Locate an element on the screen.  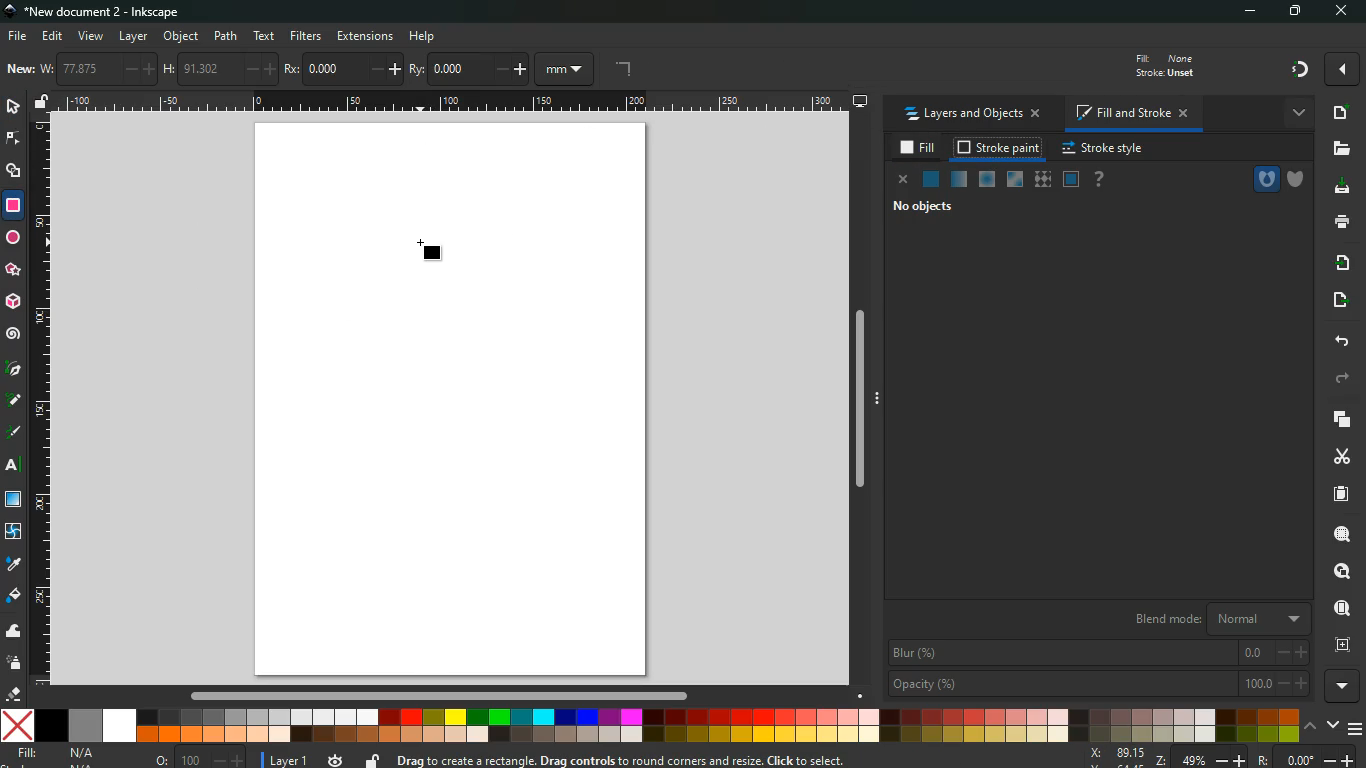
fill is located at coordinates (1177, 64).